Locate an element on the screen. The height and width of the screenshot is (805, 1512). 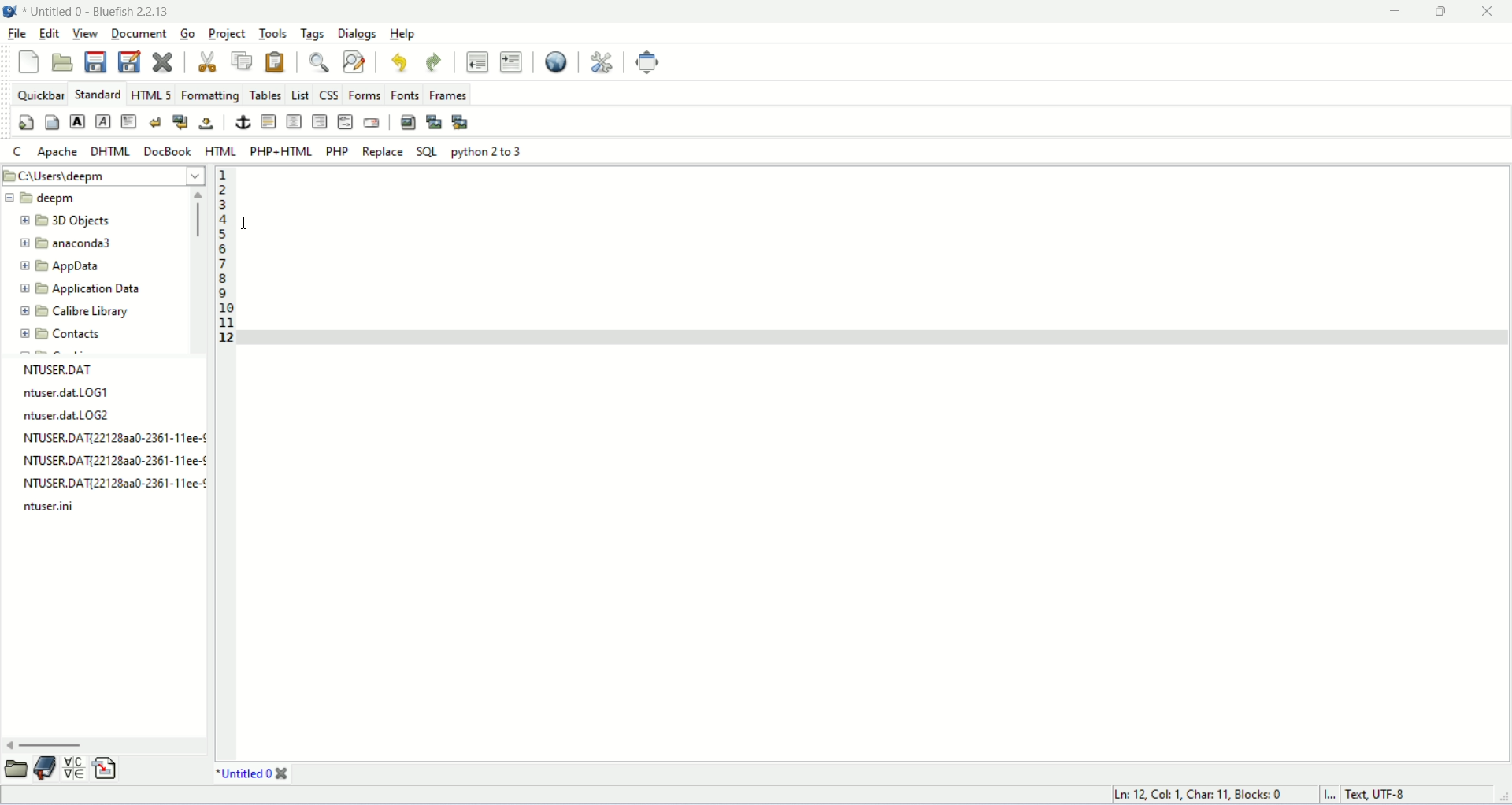
cursor position is located at coordinates (1201, 794).